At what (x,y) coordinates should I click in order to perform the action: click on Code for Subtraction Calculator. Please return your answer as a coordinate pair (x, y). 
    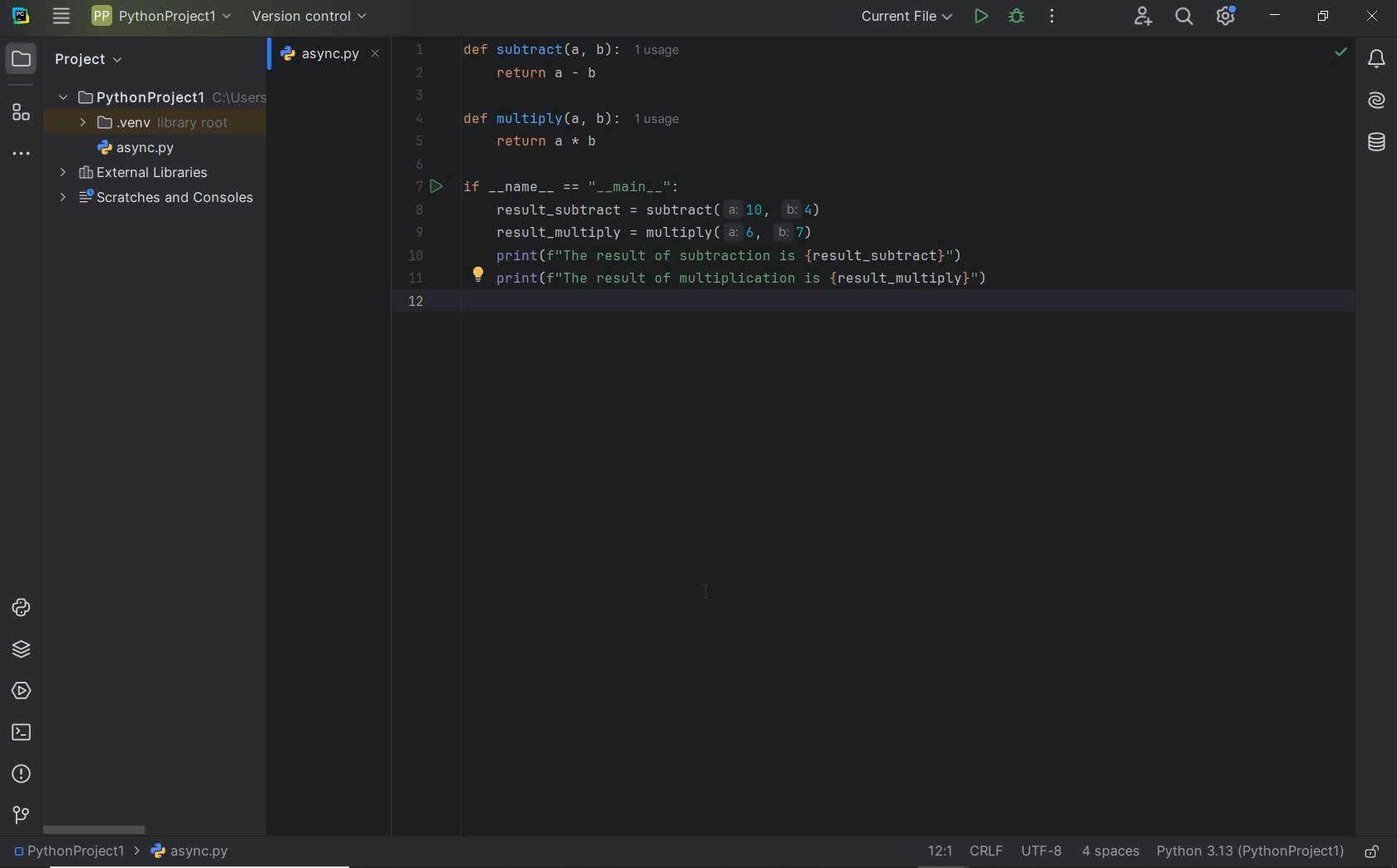
    Looking at the image, I should click on (842, 175).